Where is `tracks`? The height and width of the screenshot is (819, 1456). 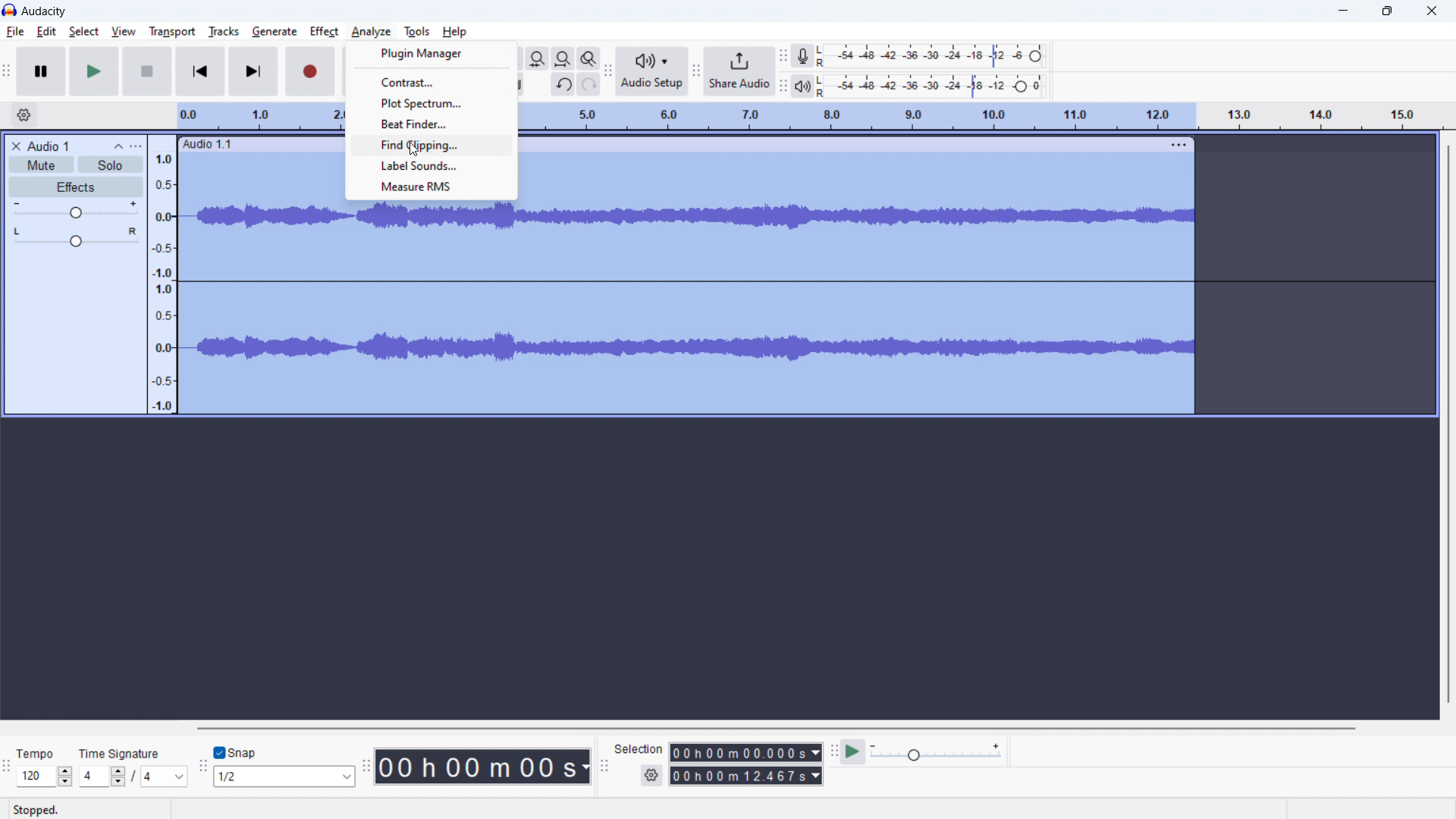 tracks is located at coordinates (225, 31).